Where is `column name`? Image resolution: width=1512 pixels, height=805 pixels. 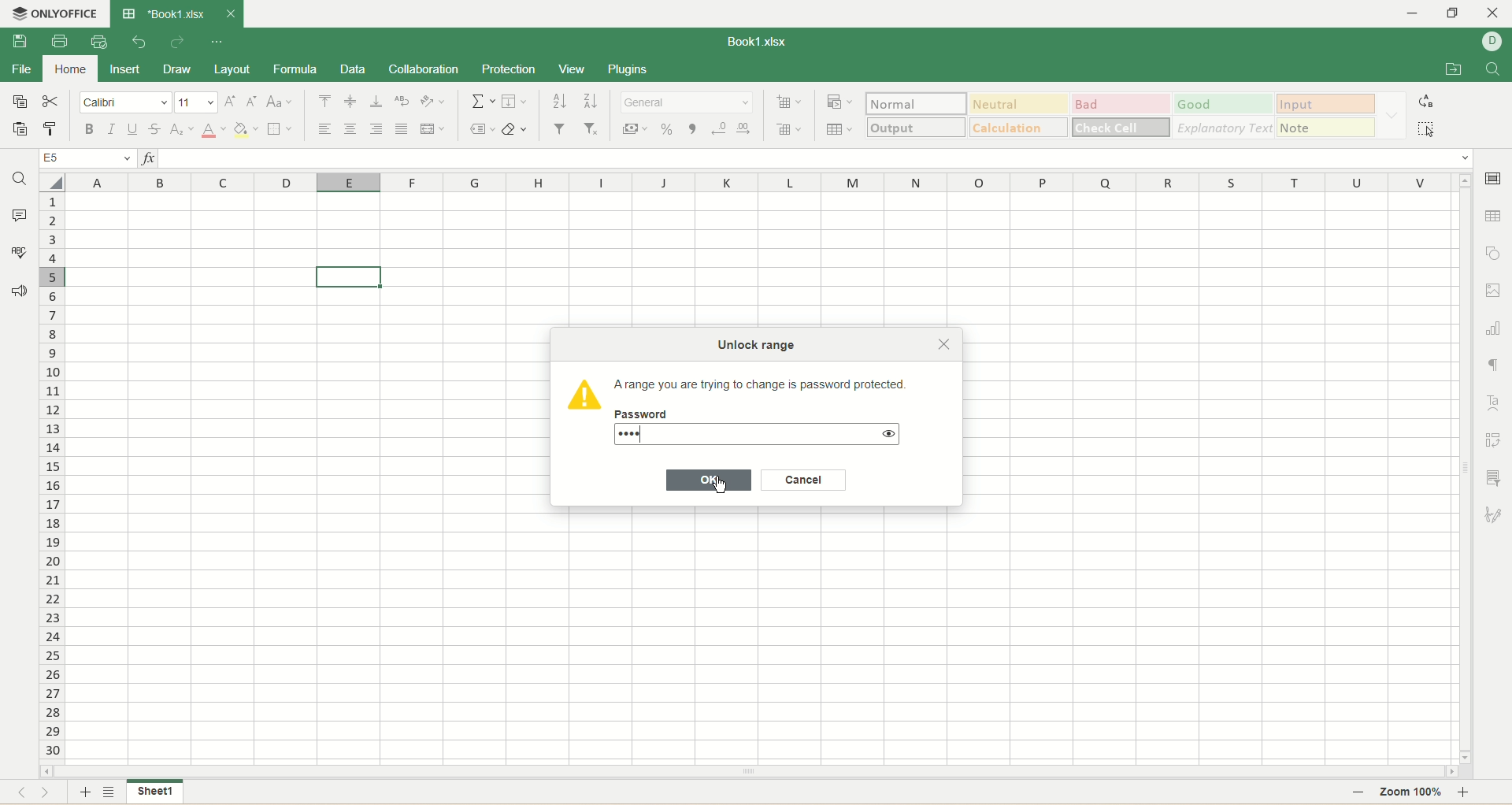
column name is located at coordinates (765, 179).